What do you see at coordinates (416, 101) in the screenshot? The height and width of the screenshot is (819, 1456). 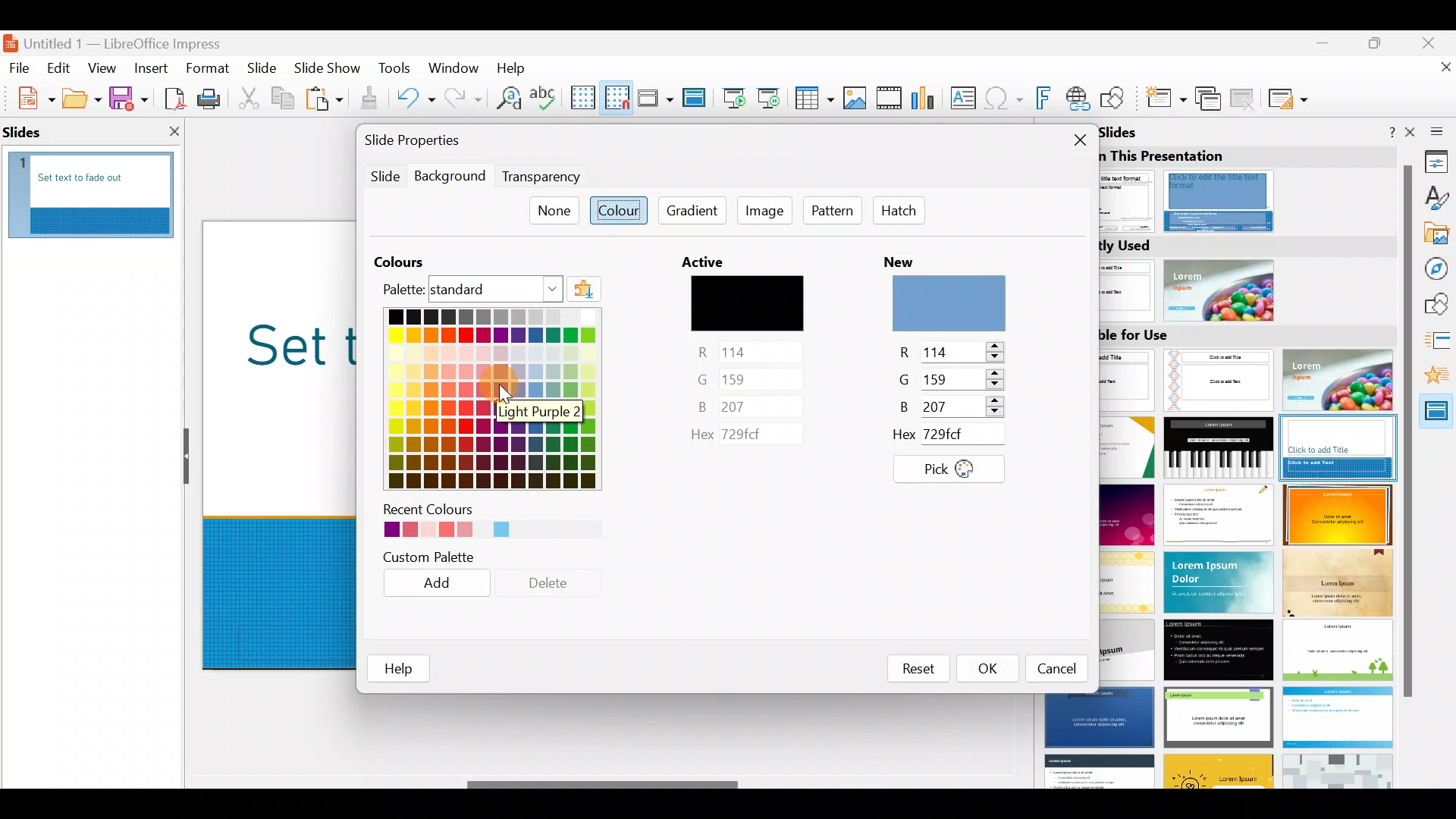 I see `Undo` at bounding box center [416, 101].